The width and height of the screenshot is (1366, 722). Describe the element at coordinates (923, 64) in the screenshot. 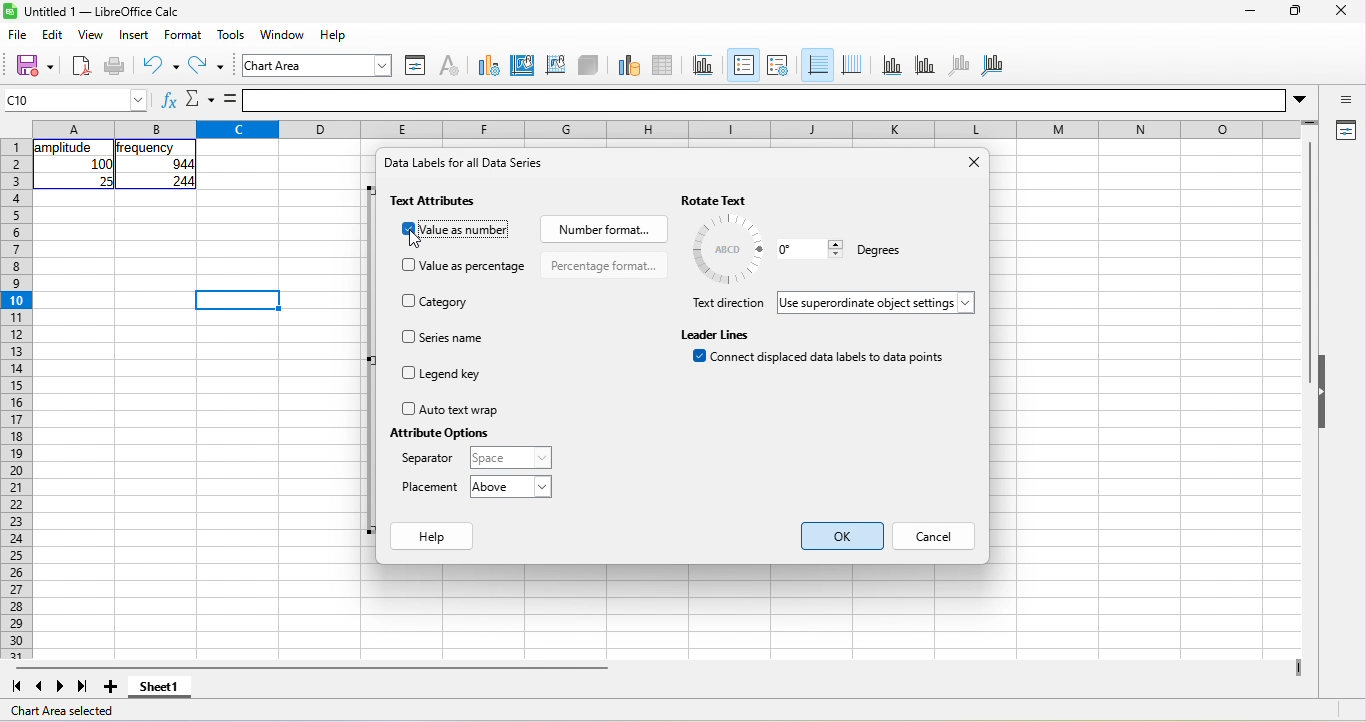

I see `y axis` at that location.